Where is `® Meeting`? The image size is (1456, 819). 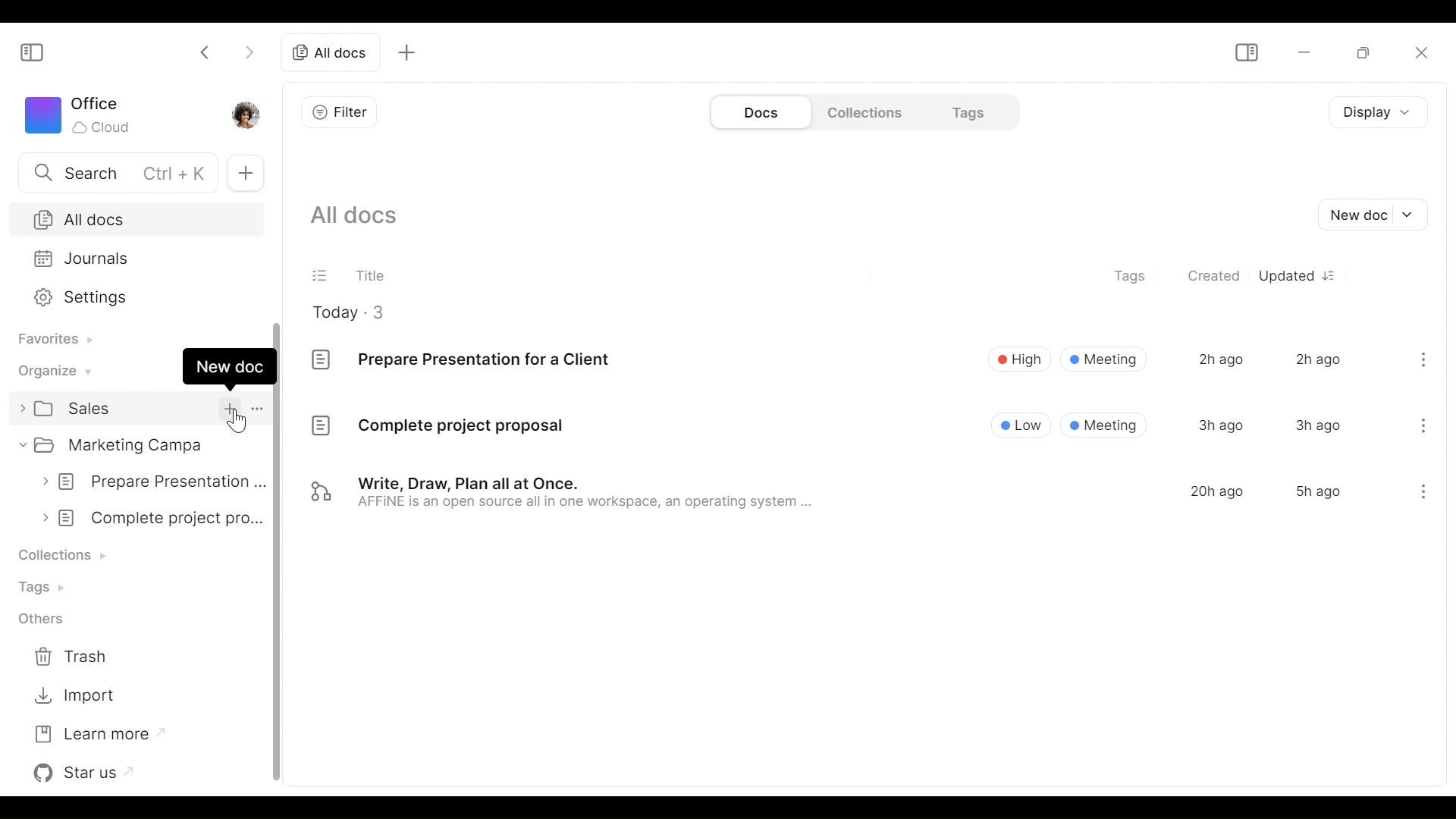
® Meeting is located at coordinates (1105, 425).